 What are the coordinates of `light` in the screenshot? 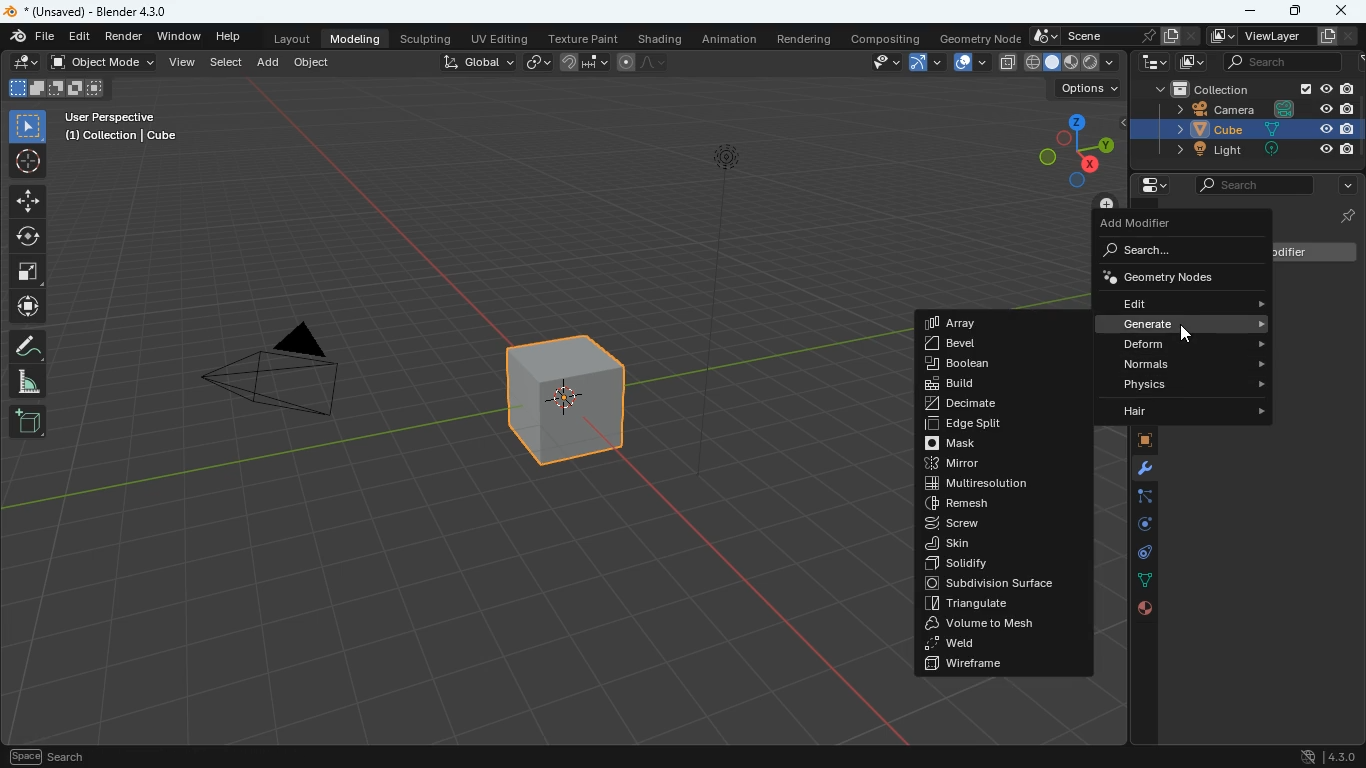 It's located at (722, 312).